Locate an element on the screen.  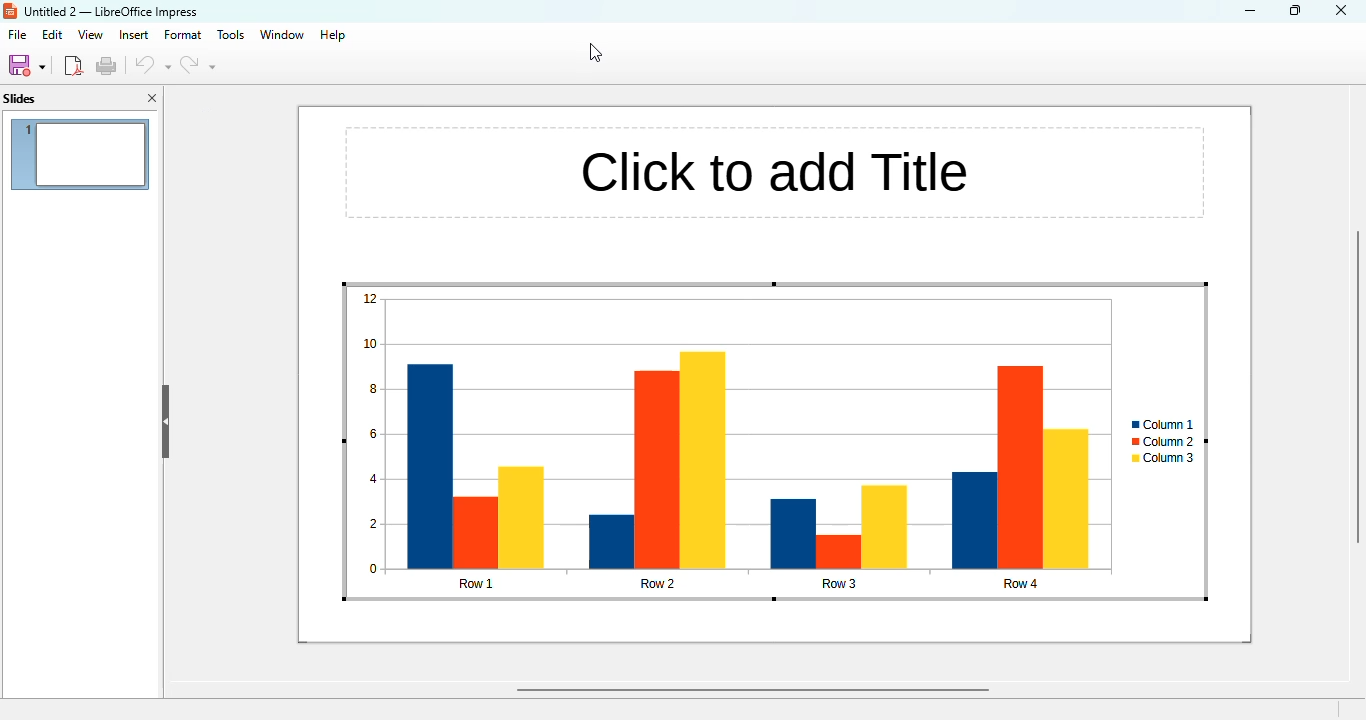
chart inserted on a slide is located at coordinates (775, 442).